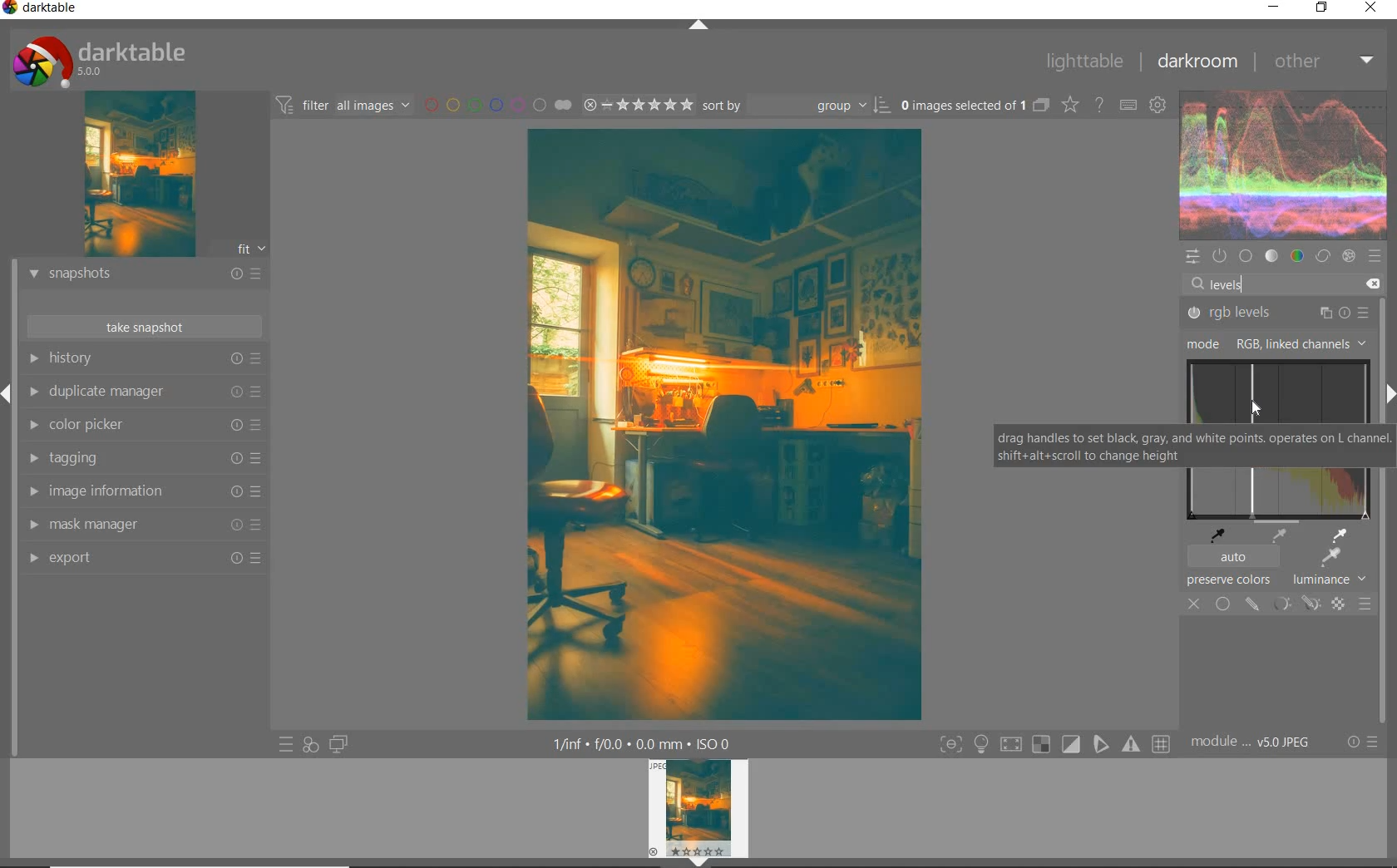  What do you see at coordinates (638, 105) in the screenshot?
I see `range rating of selected images` at bounding box center [638, 105].